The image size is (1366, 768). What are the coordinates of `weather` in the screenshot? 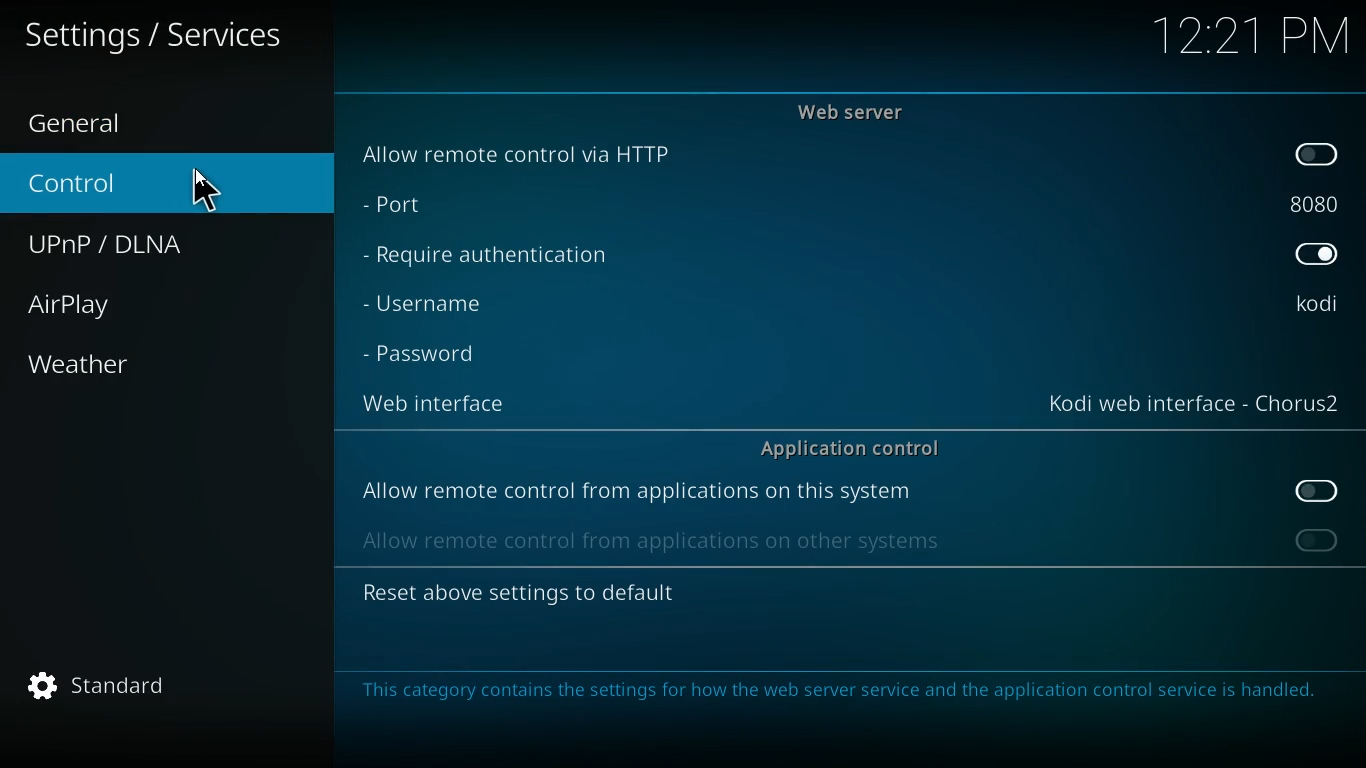 It's located at (170, 365).